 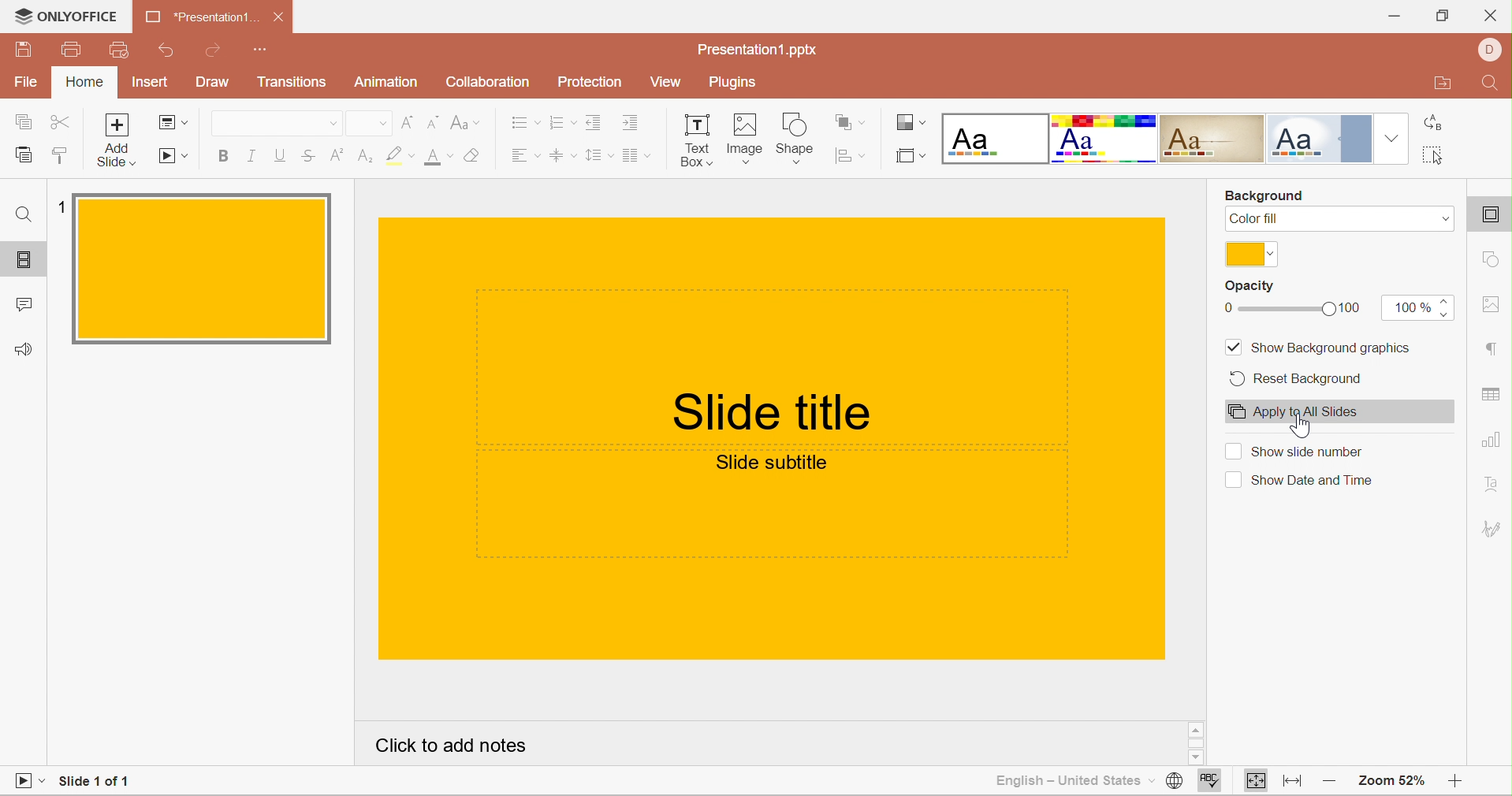 I want to click on View, so click(x=666, y=82).